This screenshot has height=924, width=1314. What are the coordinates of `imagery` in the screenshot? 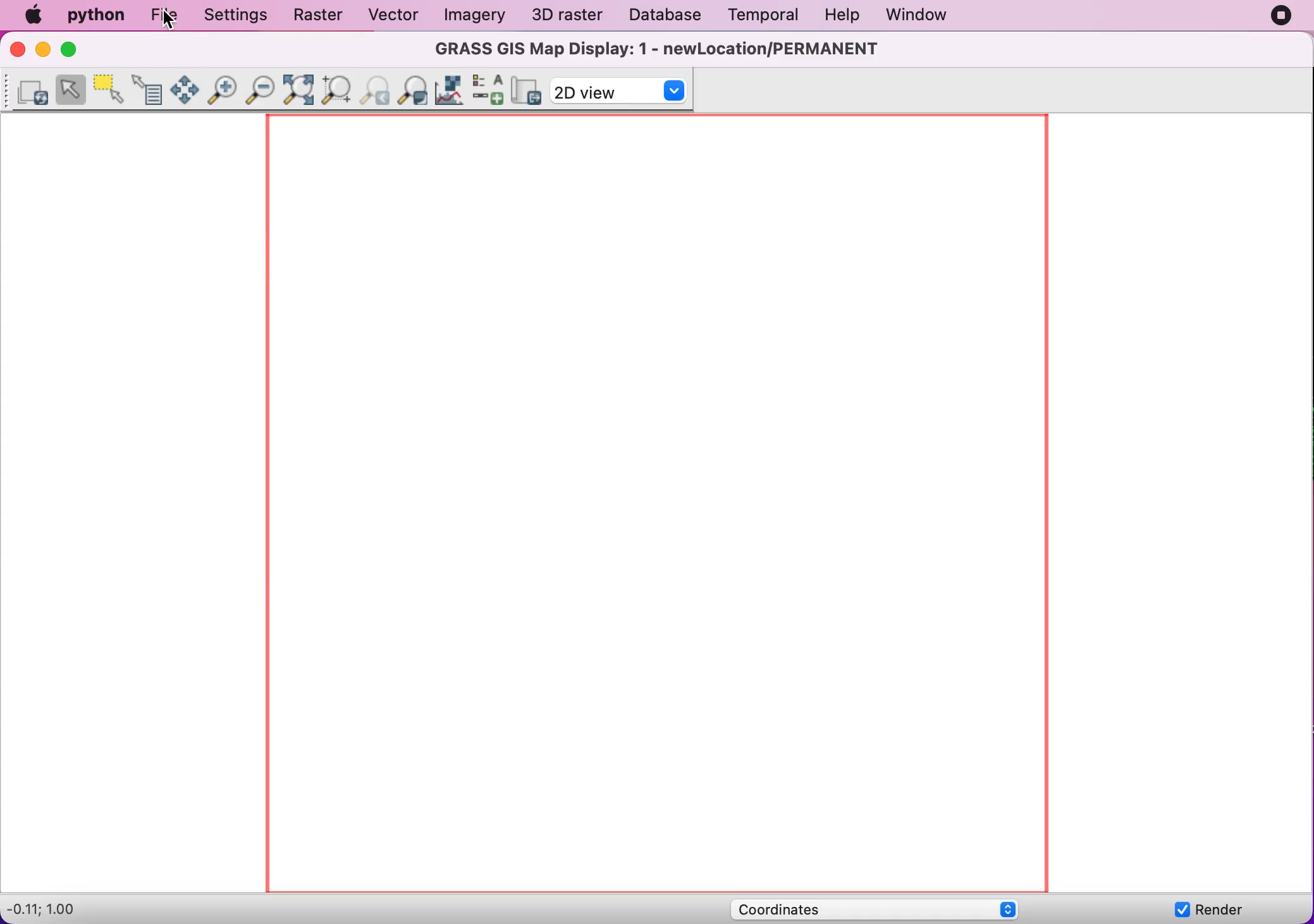 It's located at (477, 16).